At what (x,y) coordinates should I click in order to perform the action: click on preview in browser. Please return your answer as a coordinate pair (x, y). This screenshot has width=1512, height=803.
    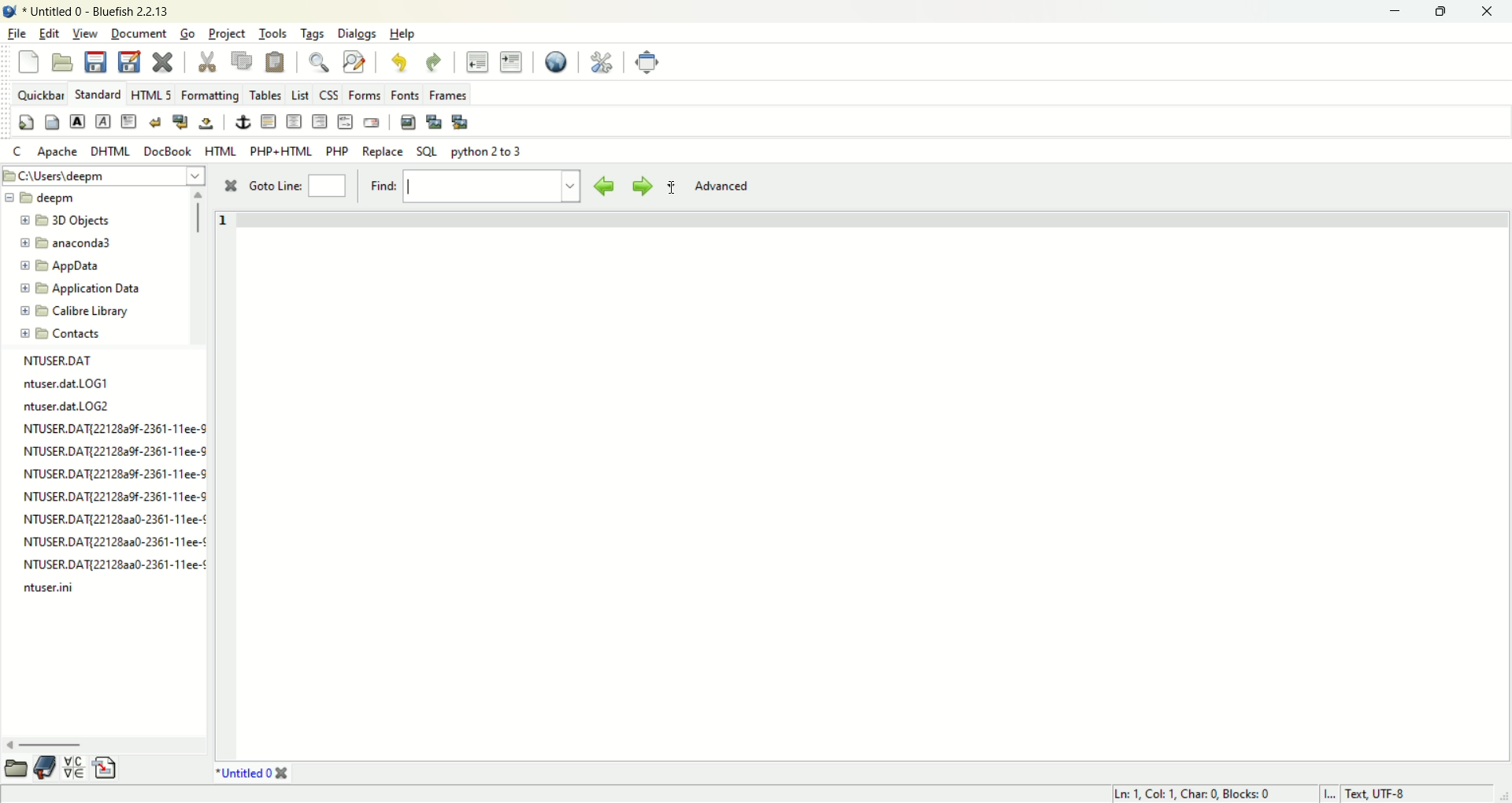
    Looking at the image, I should click on (557, 61).